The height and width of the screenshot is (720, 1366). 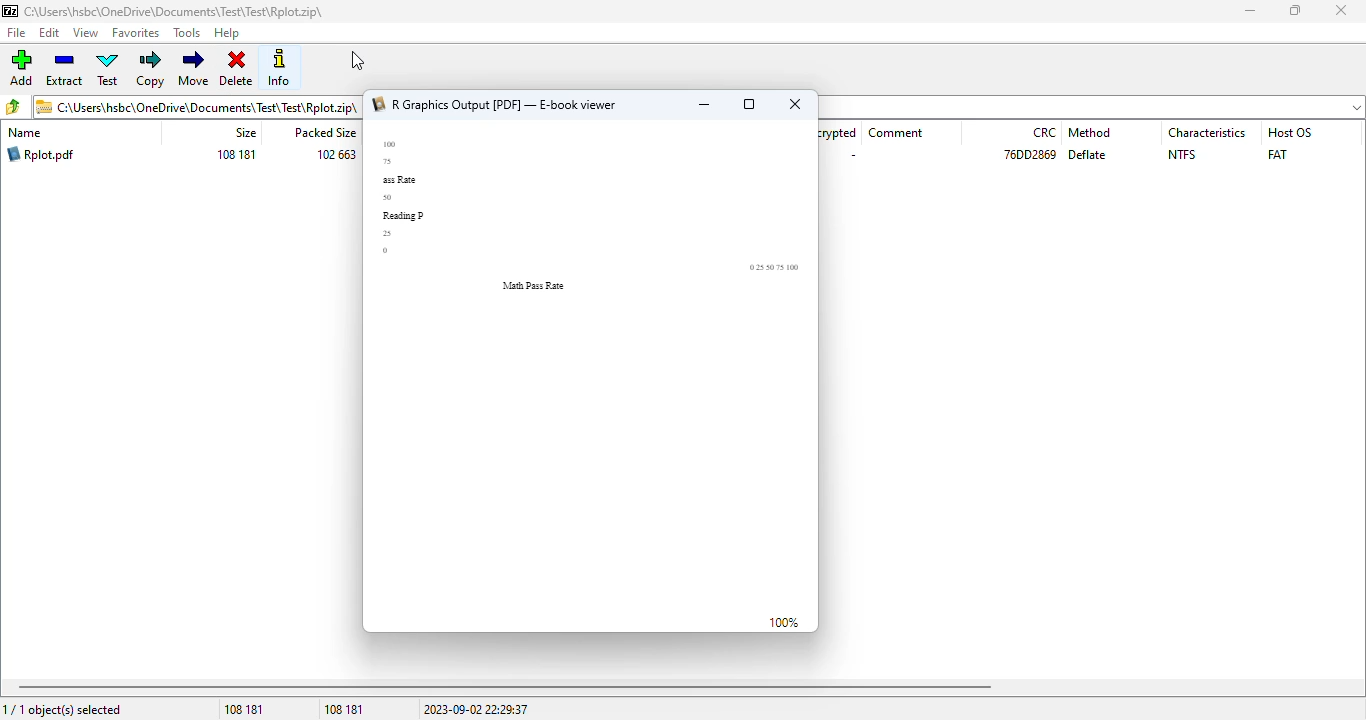 What do you see at coordinates (785, 622) in the screenshot?
I see `100%` at bounding box center [785, 622].